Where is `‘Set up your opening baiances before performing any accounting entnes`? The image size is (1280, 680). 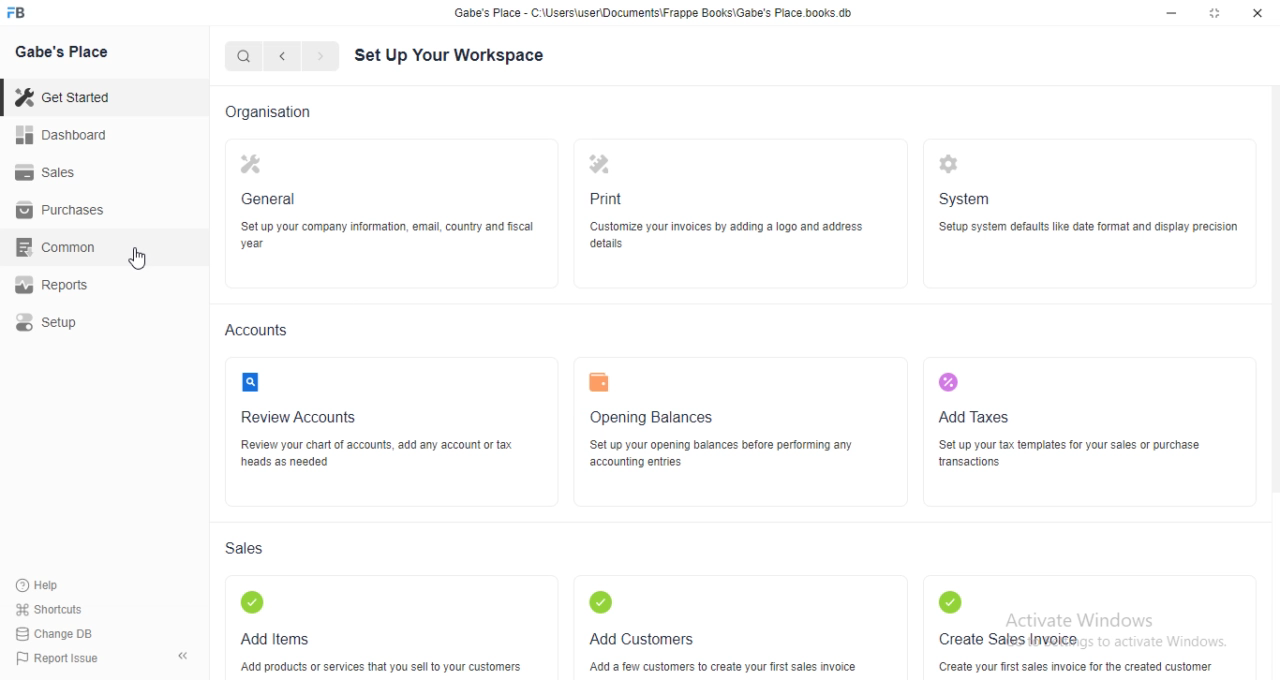
‘Set up your opening baiances before performing any accounting entnes is located at coordinates (732, 452).